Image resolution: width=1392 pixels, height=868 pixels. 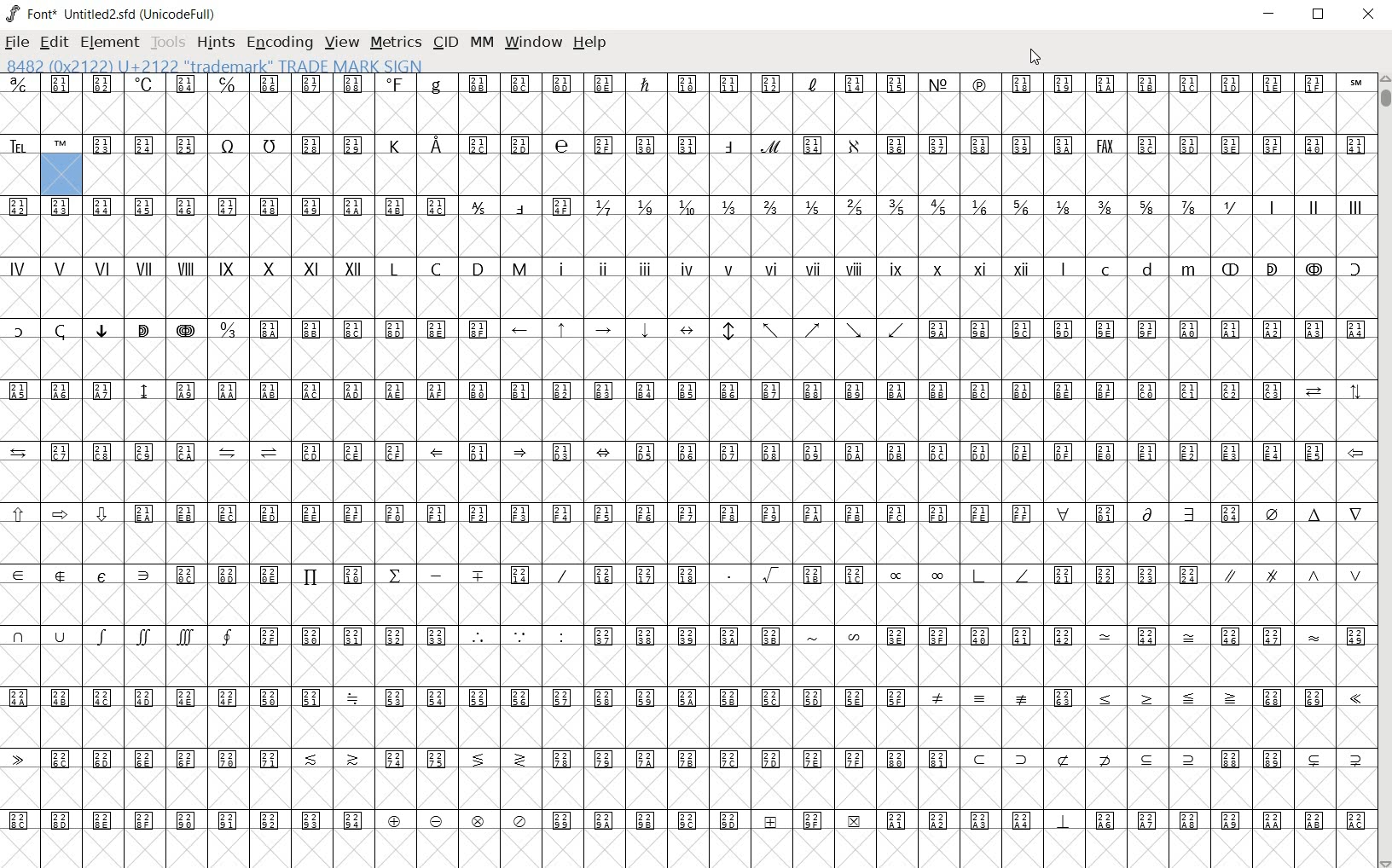 I want to click on SCROLLBAR, so click(x=1383, y=472).